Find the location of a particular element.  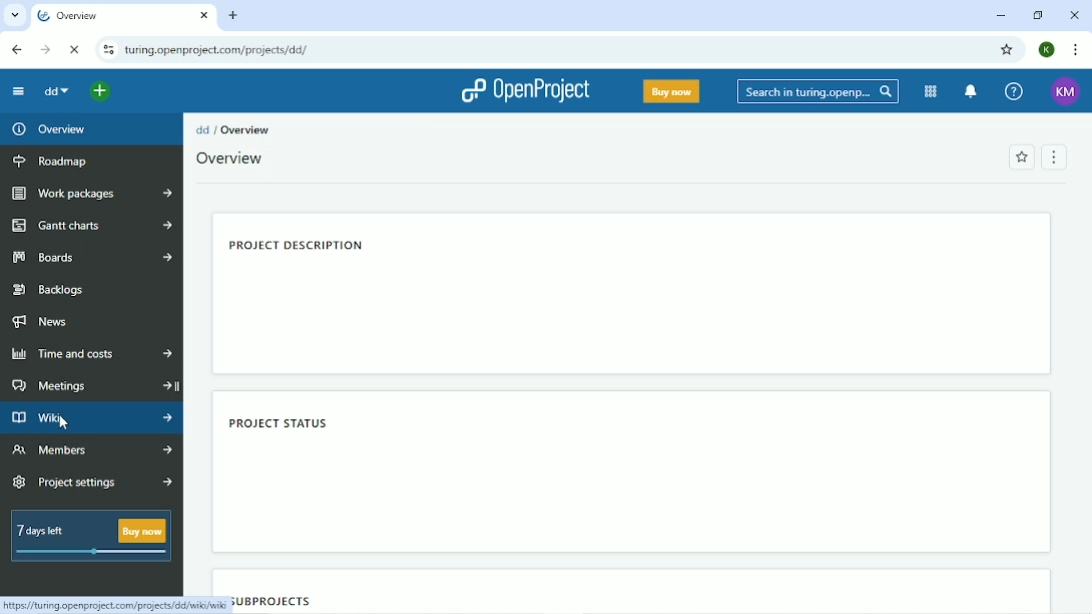

Overview is located at coordinates (245, 129).